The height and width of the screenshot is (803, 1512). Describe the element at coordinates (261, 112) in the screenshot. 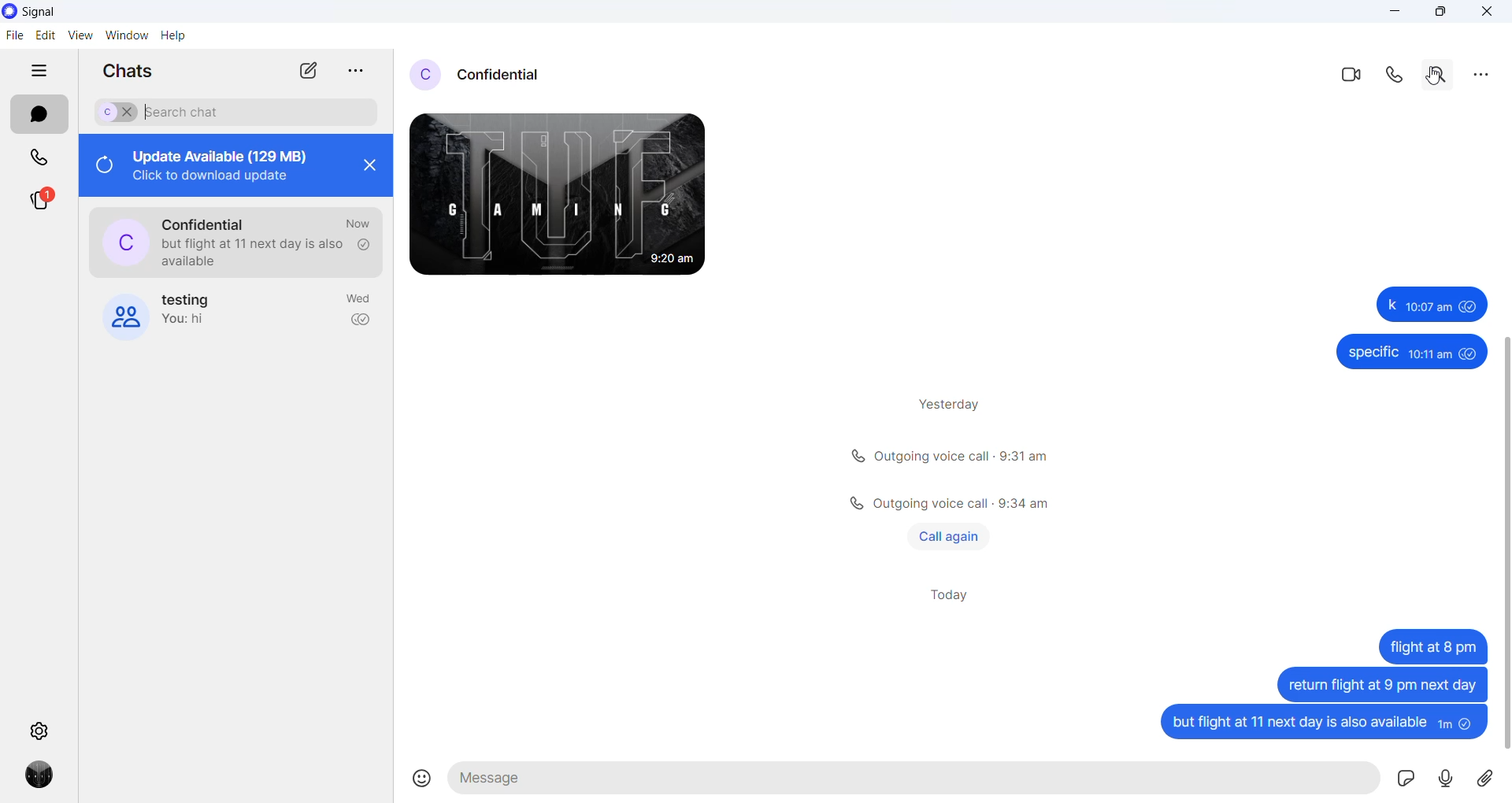

I see `search chat` at that location.